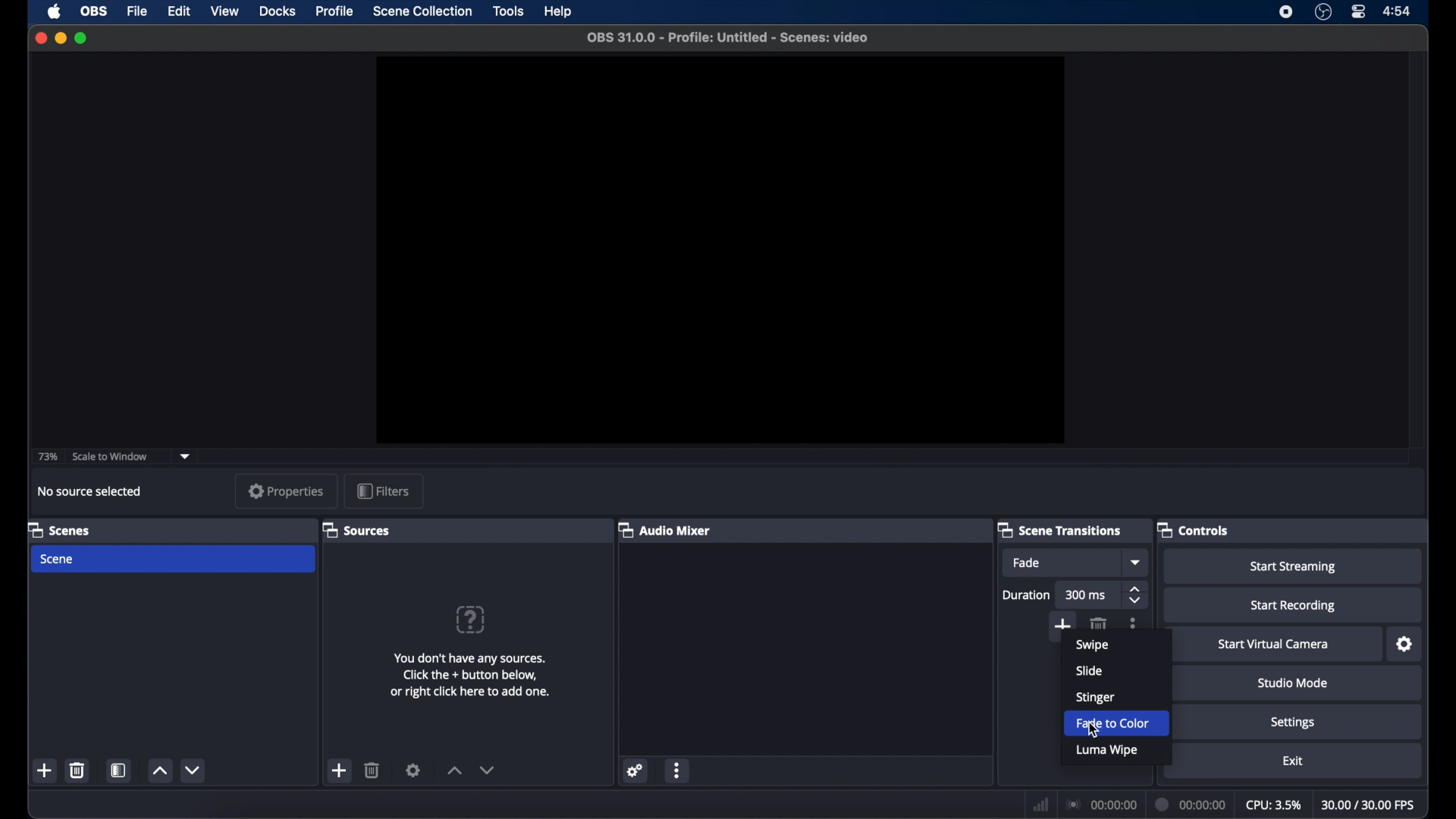  What do you see at coordinates (60, 38) in the screenshot?
I see `minimize` at bounding box center [60, 38].